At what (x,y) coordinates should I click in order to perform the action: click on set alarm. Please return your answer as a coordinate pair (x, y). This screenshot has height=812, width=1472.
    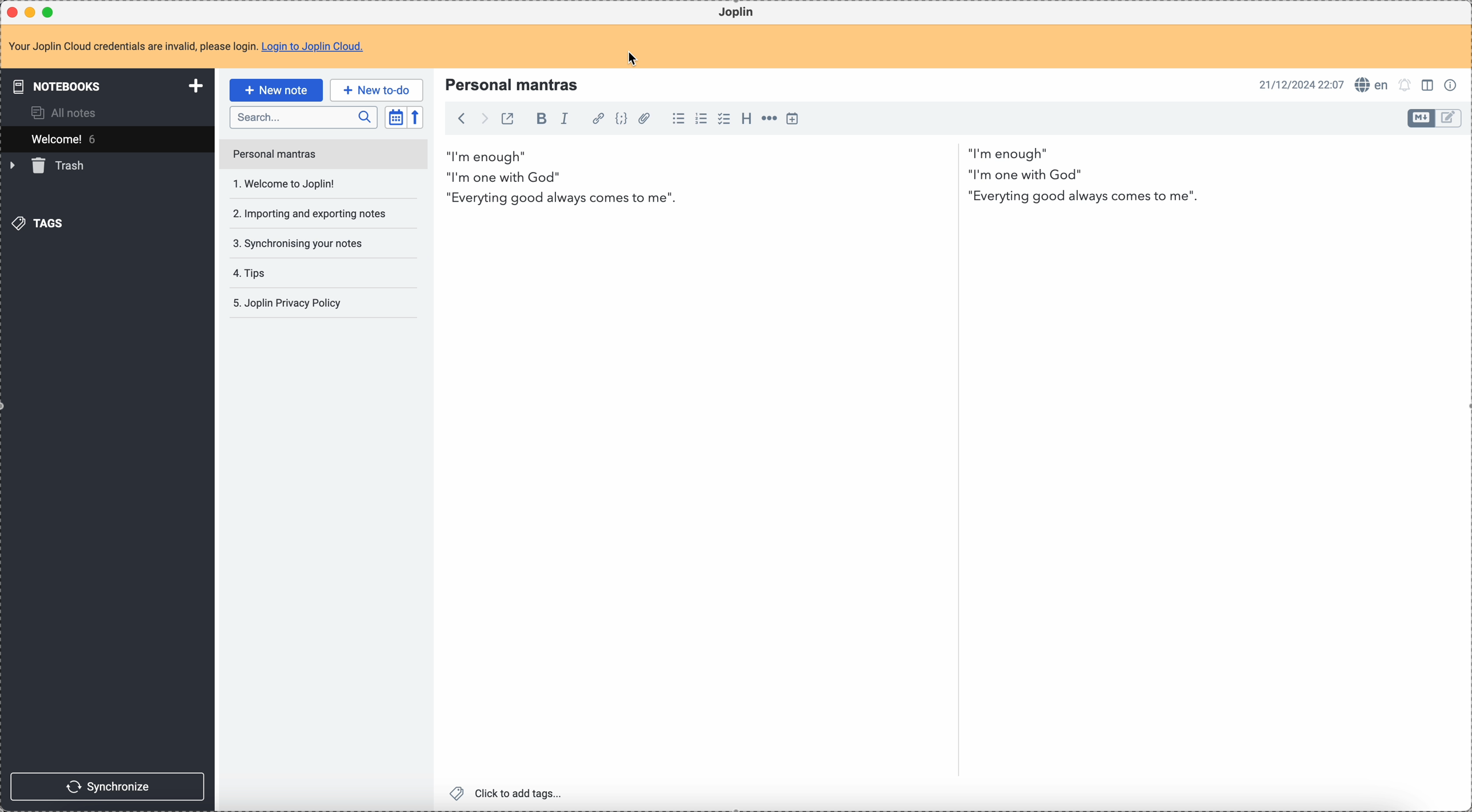
    Looking at the image, I should click on (1406, 84).